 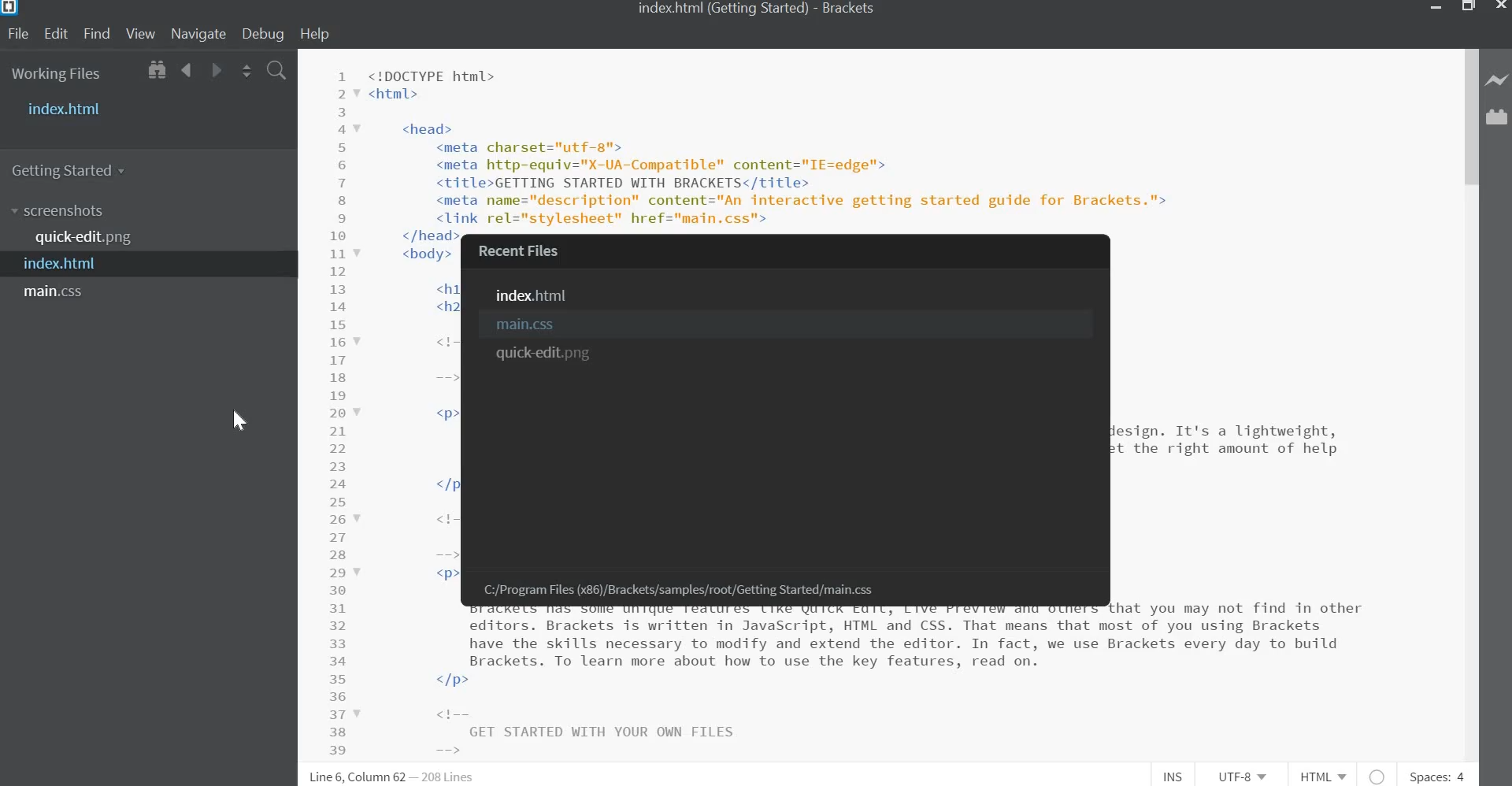 I want to click on Editor Area, so click(x=876, y=140).